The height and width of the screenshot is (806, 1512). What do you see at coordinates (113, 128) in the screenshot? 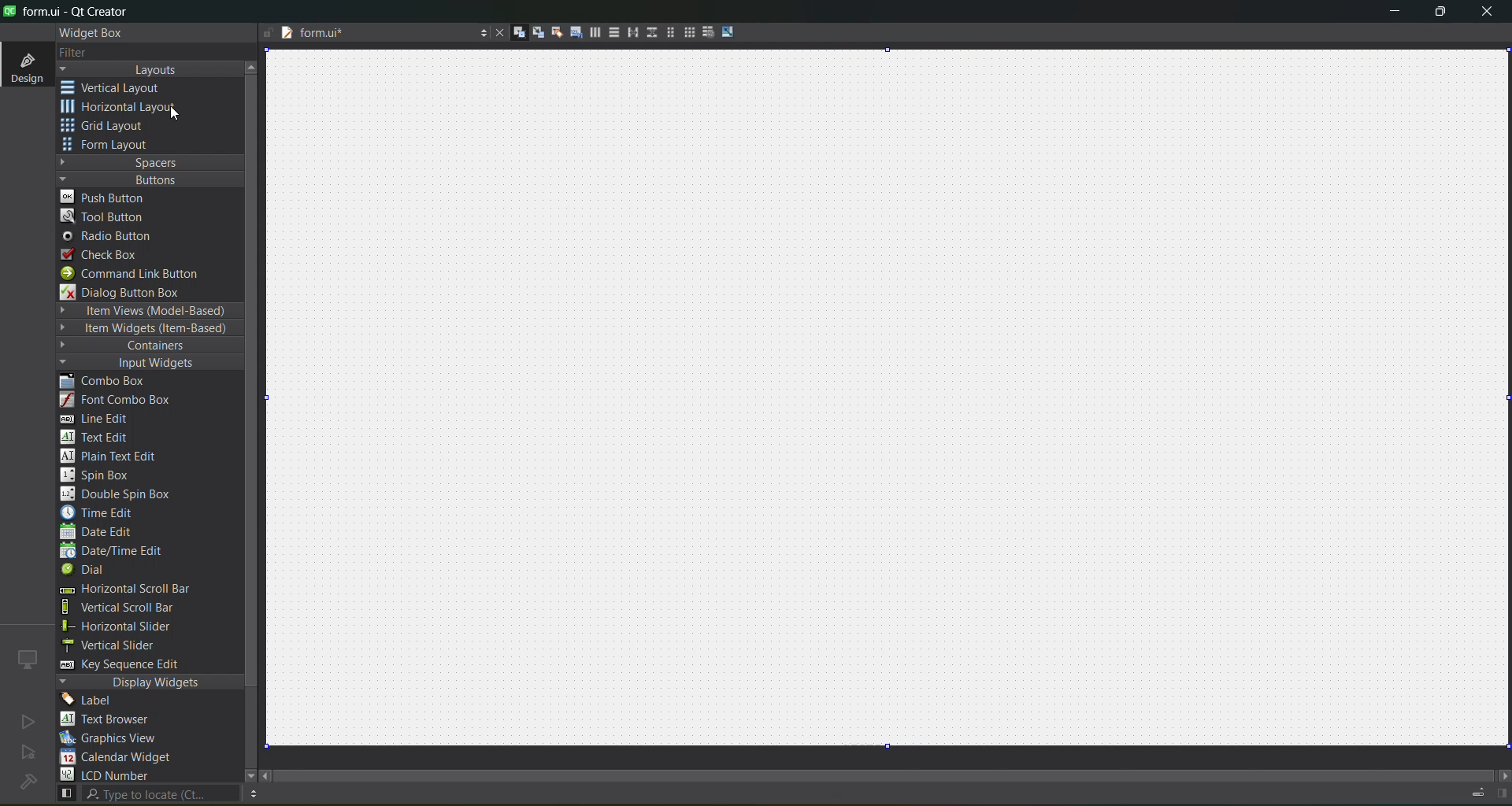
I see `grid` at bounding box center [113, 128].